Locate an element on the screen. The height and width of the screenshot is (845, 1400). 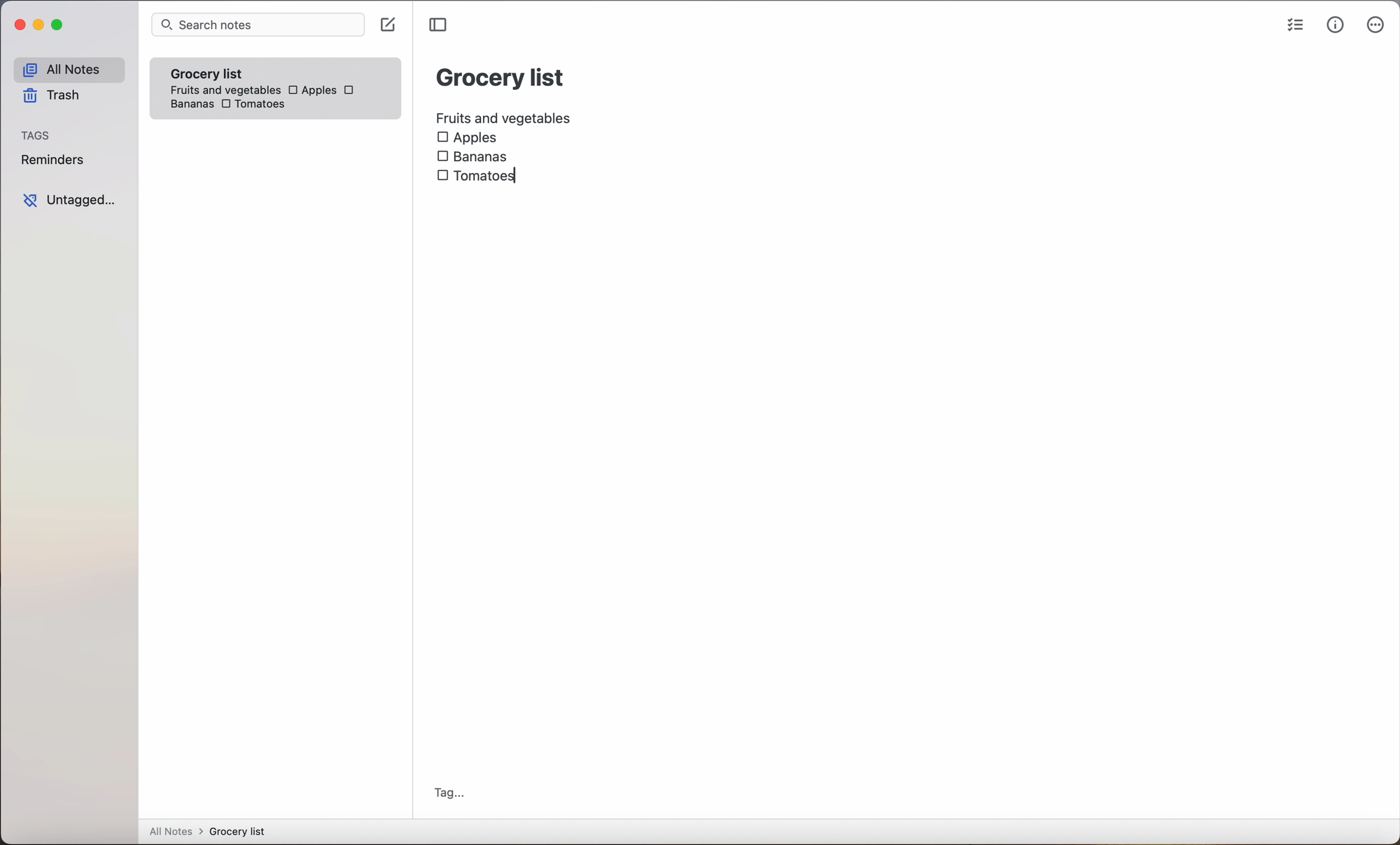
Tomatoes checkbox is located at coordinates (476, 176).